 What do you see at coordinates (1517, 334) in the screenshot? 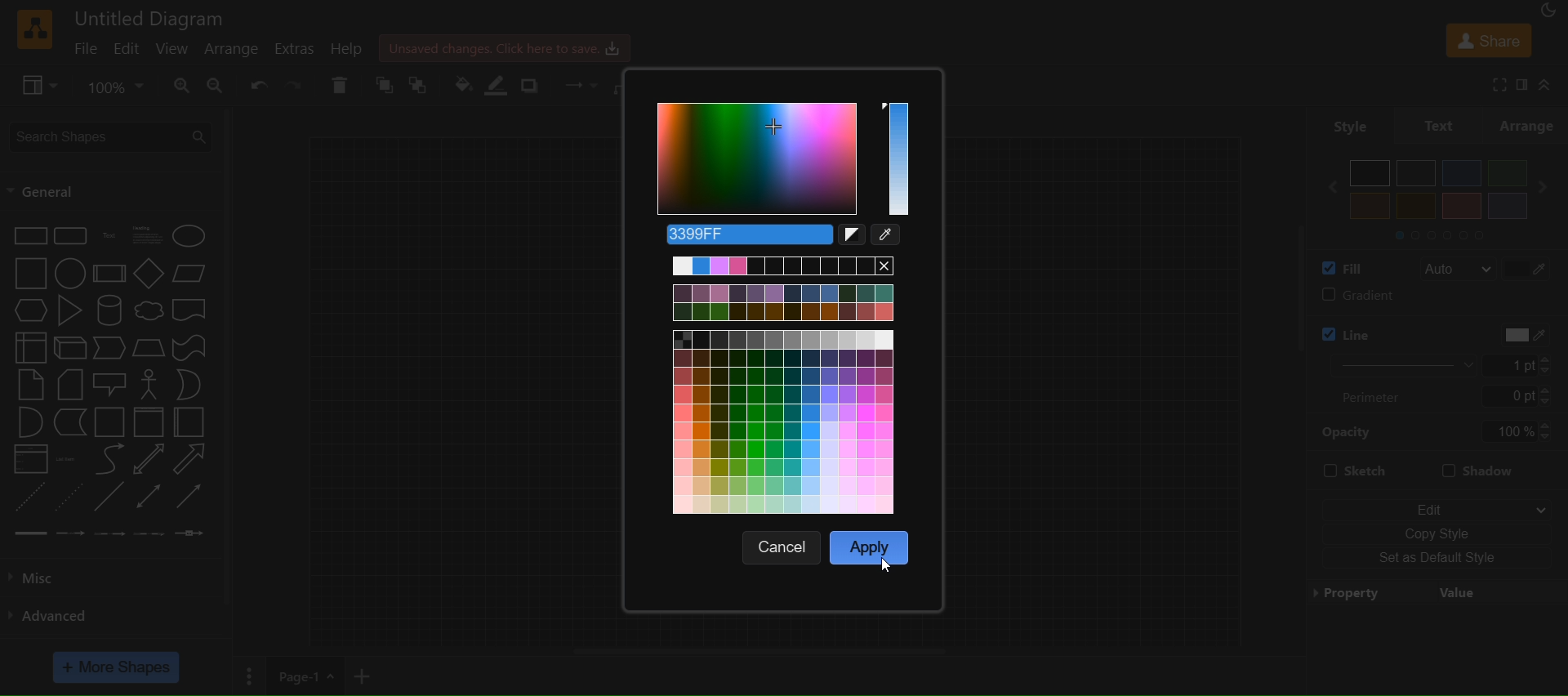
I see `color` at bounding box center [1517, 334].